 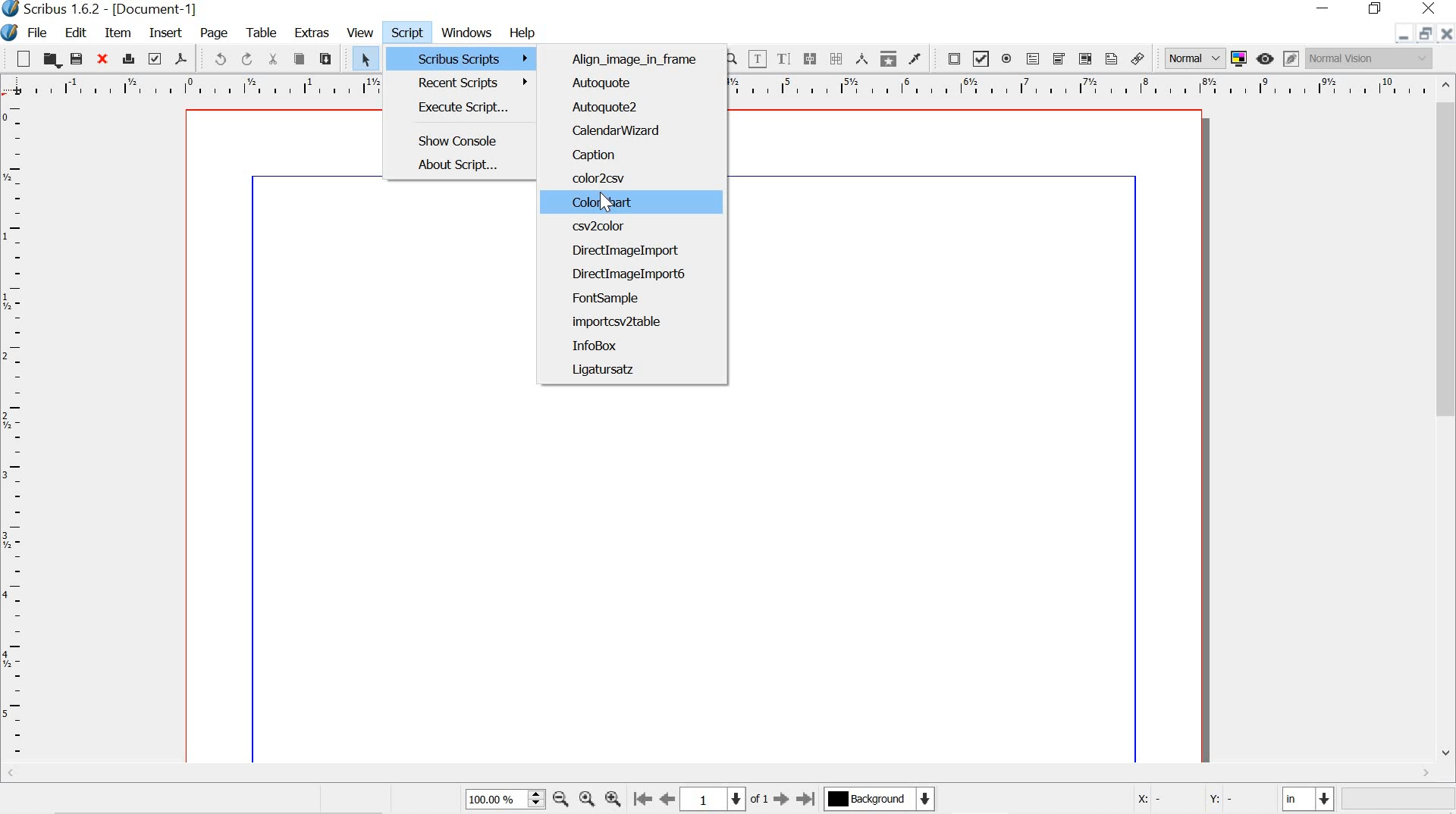 What do you see at coordinates (1241, 58) in the screenshot?
I see `toggle color management system` at bounding box center [1241, 58].